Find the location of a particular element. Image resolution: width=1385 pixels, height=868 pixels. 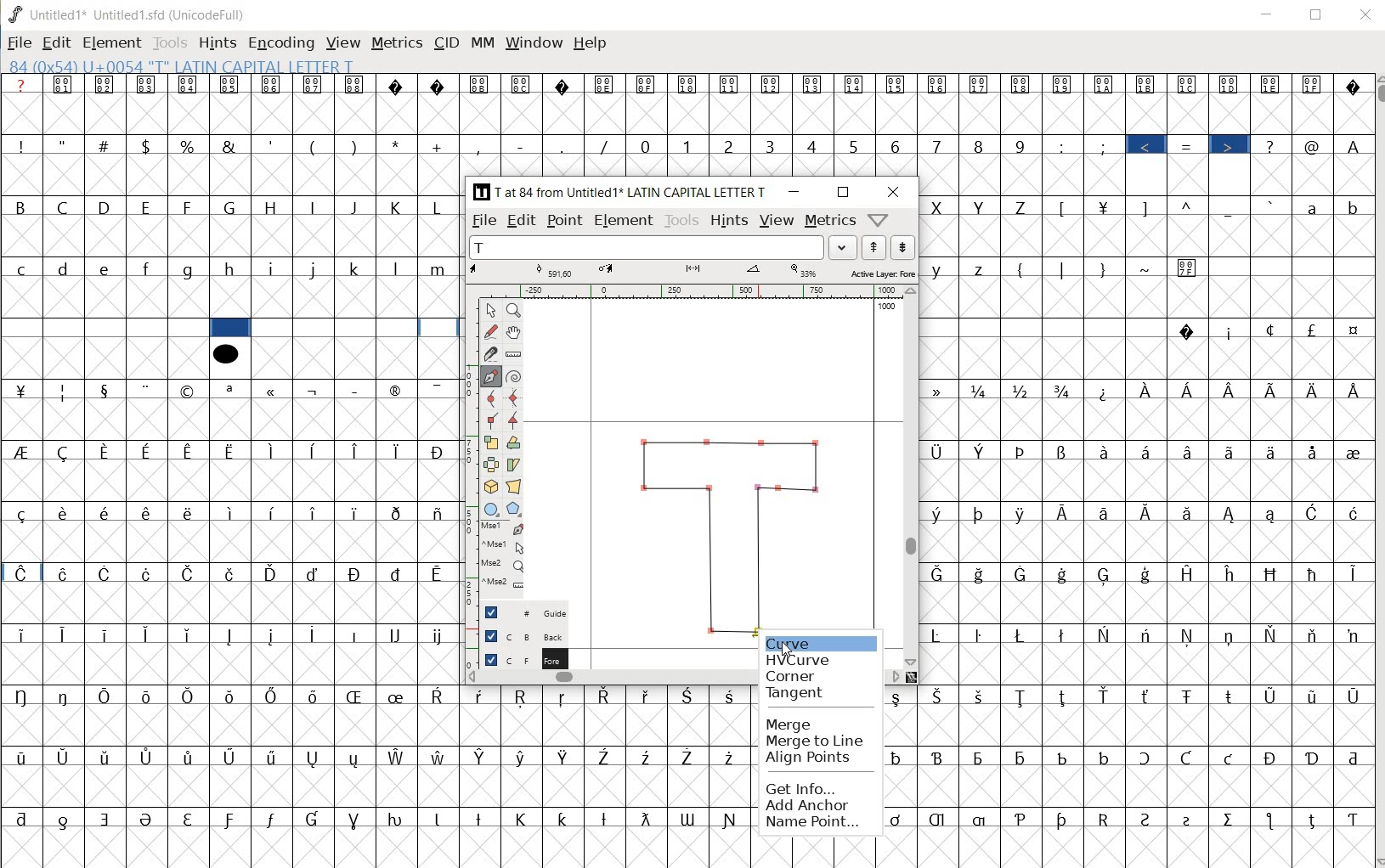

Symbol is located at coordinates (1148, 451).